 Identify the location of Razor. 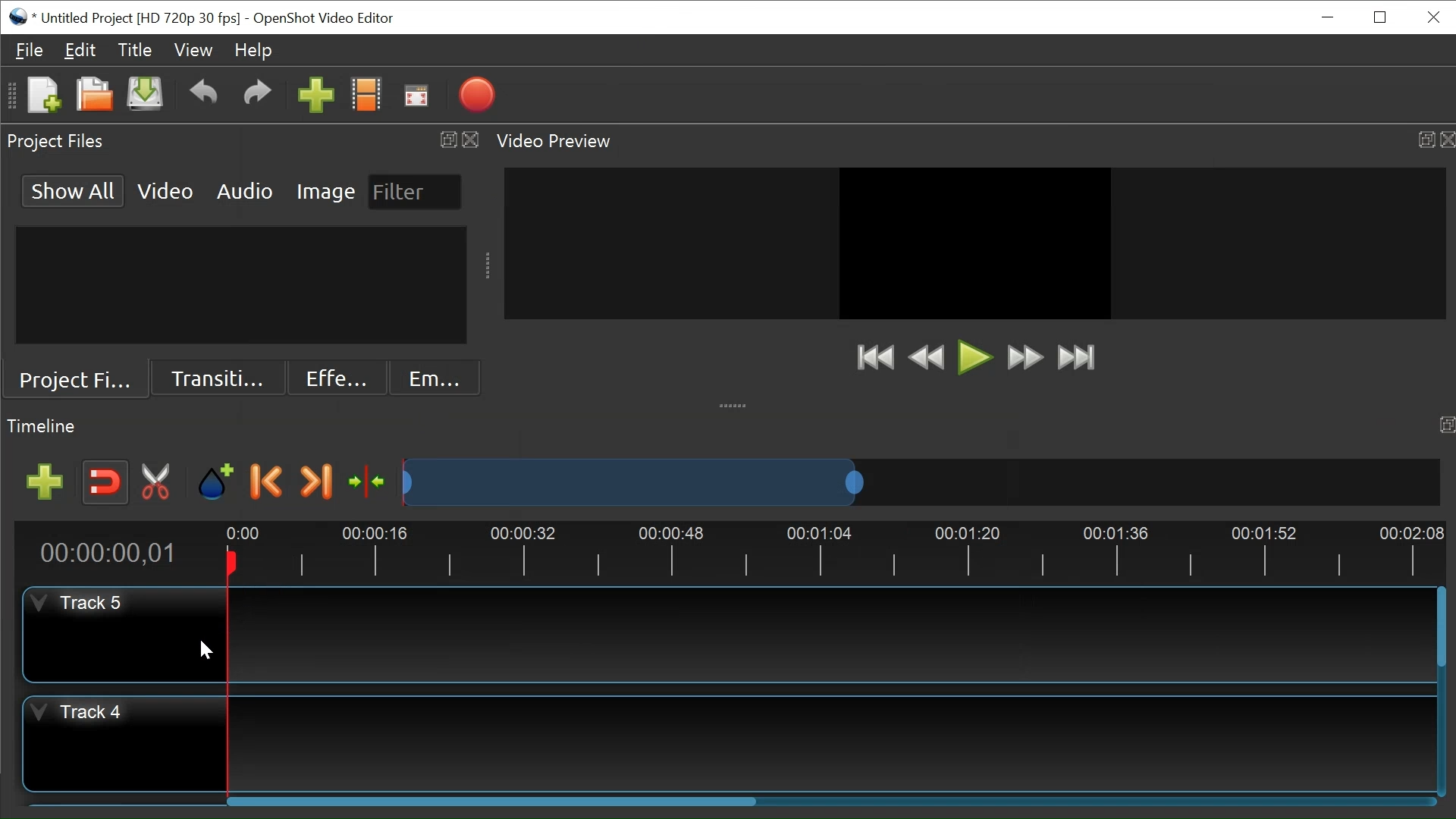
(158, 482).